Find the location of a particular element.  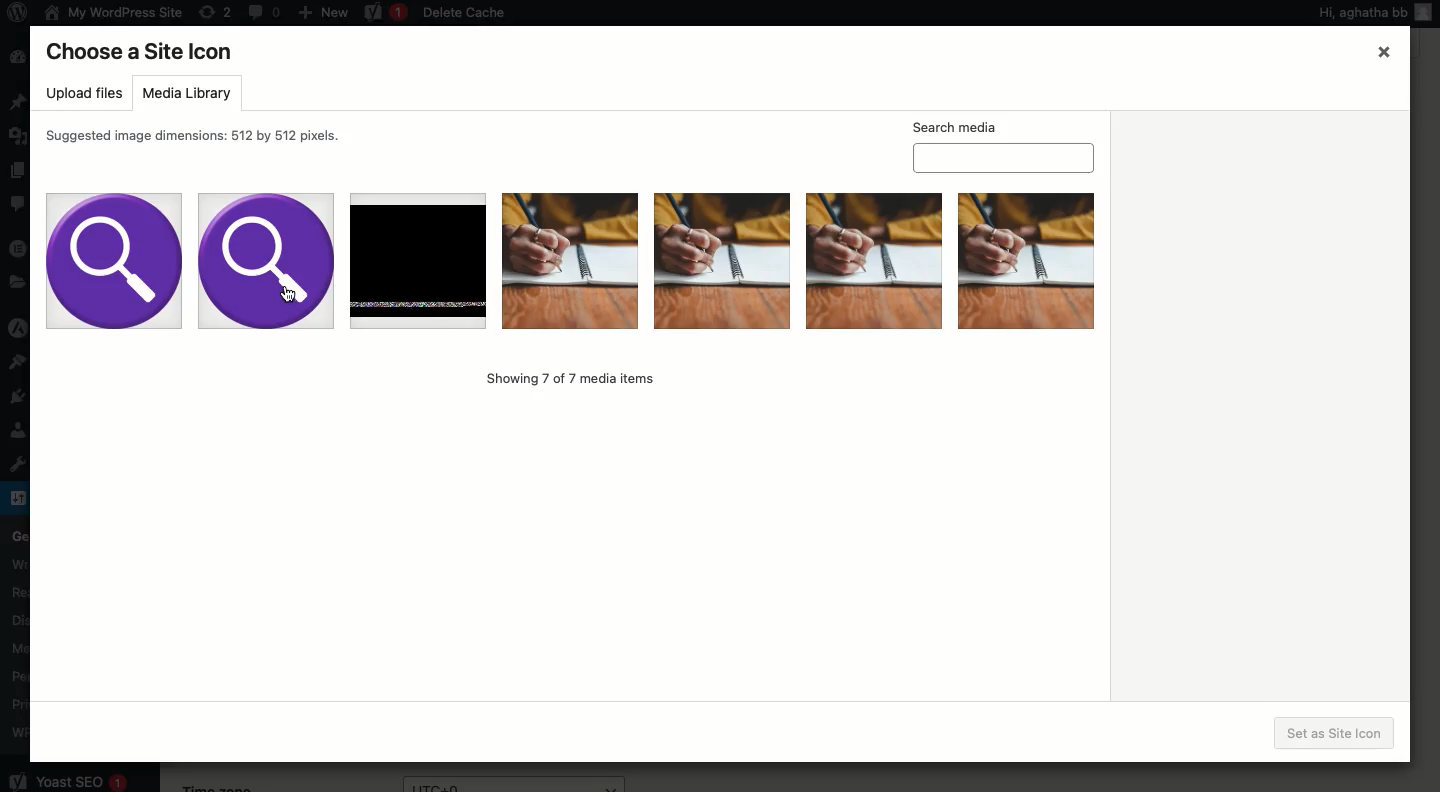

Elementor is located at coordinates (19, 247).